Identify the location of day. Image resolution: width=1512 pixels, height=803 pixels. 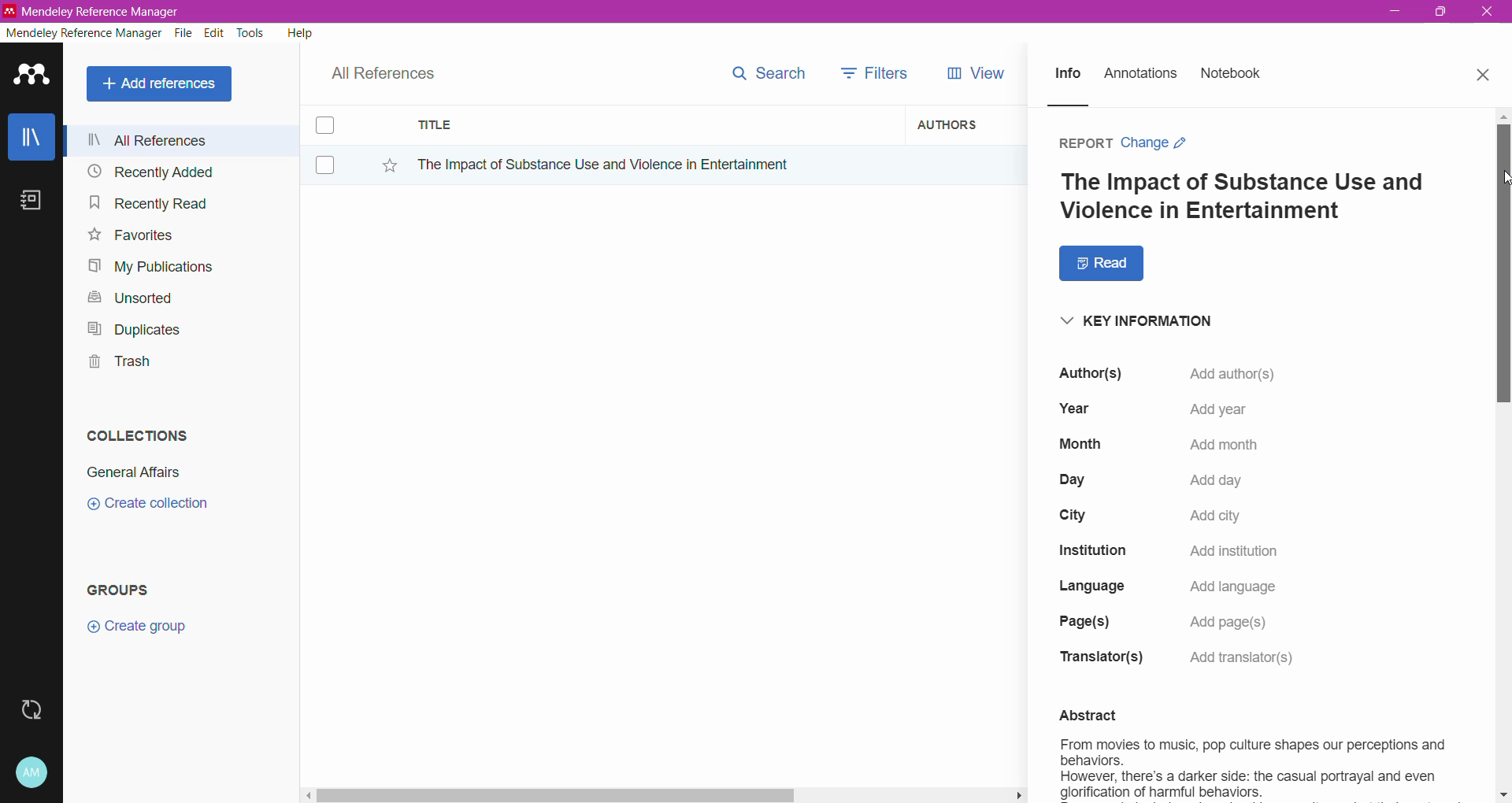
(1181, 483).